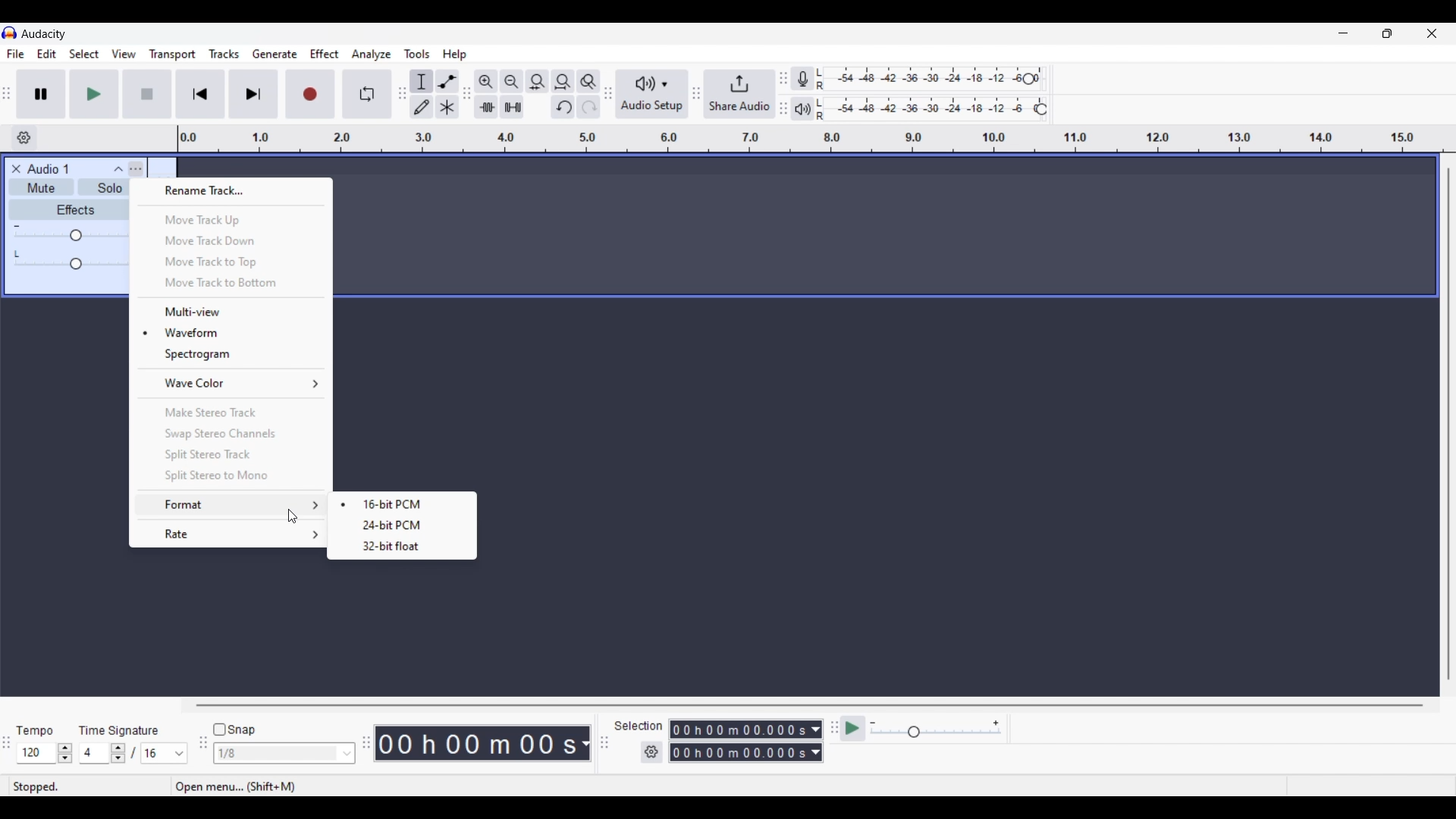 The width and height of the screenshot is (1456, 819). Describe the element at coordinates (89, 786) in the screenshot. I see `Status of recording` at that location.